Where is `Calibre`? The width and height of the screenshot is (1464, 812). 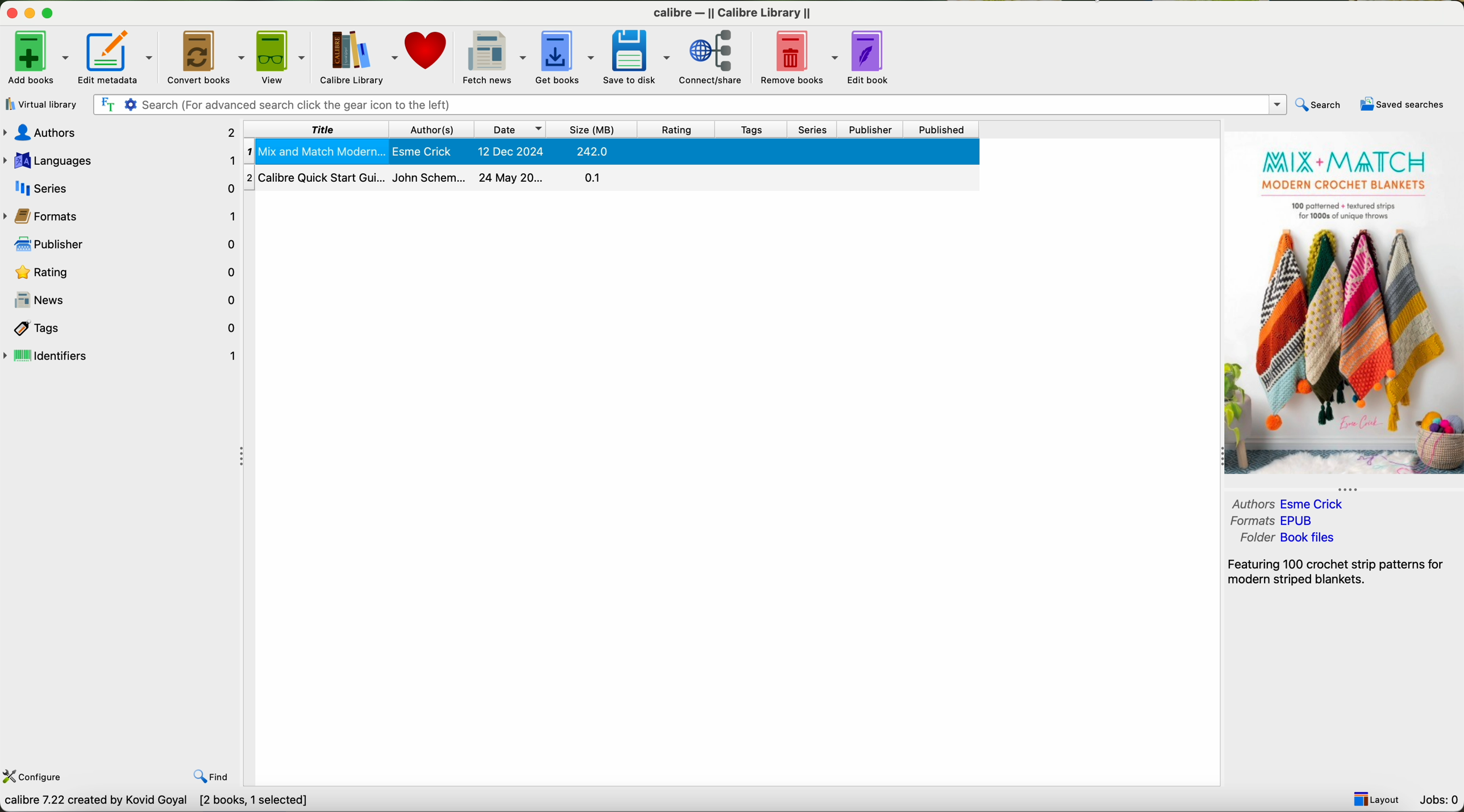 Calibre is located at coordinates (735, 15).